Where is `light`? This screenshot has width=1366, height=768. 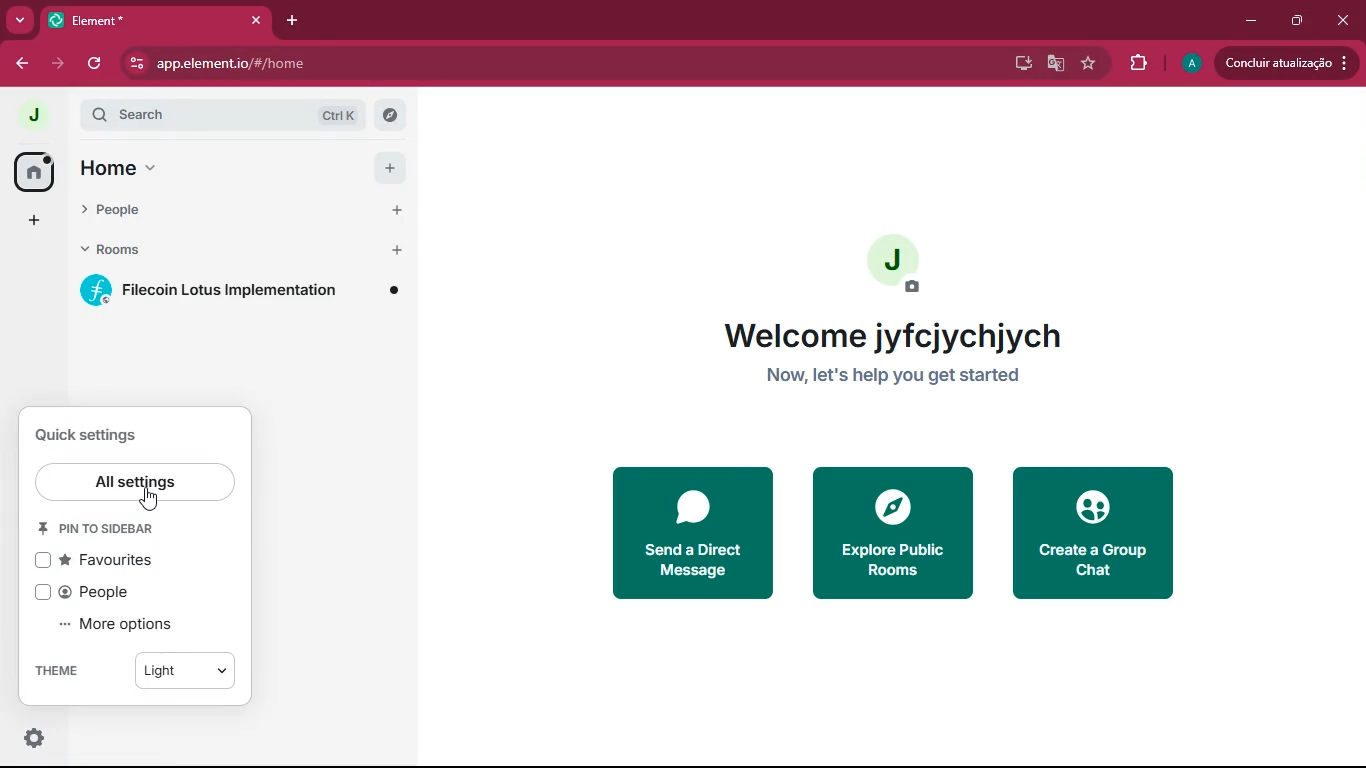 light is located at coordinates (186, 668).